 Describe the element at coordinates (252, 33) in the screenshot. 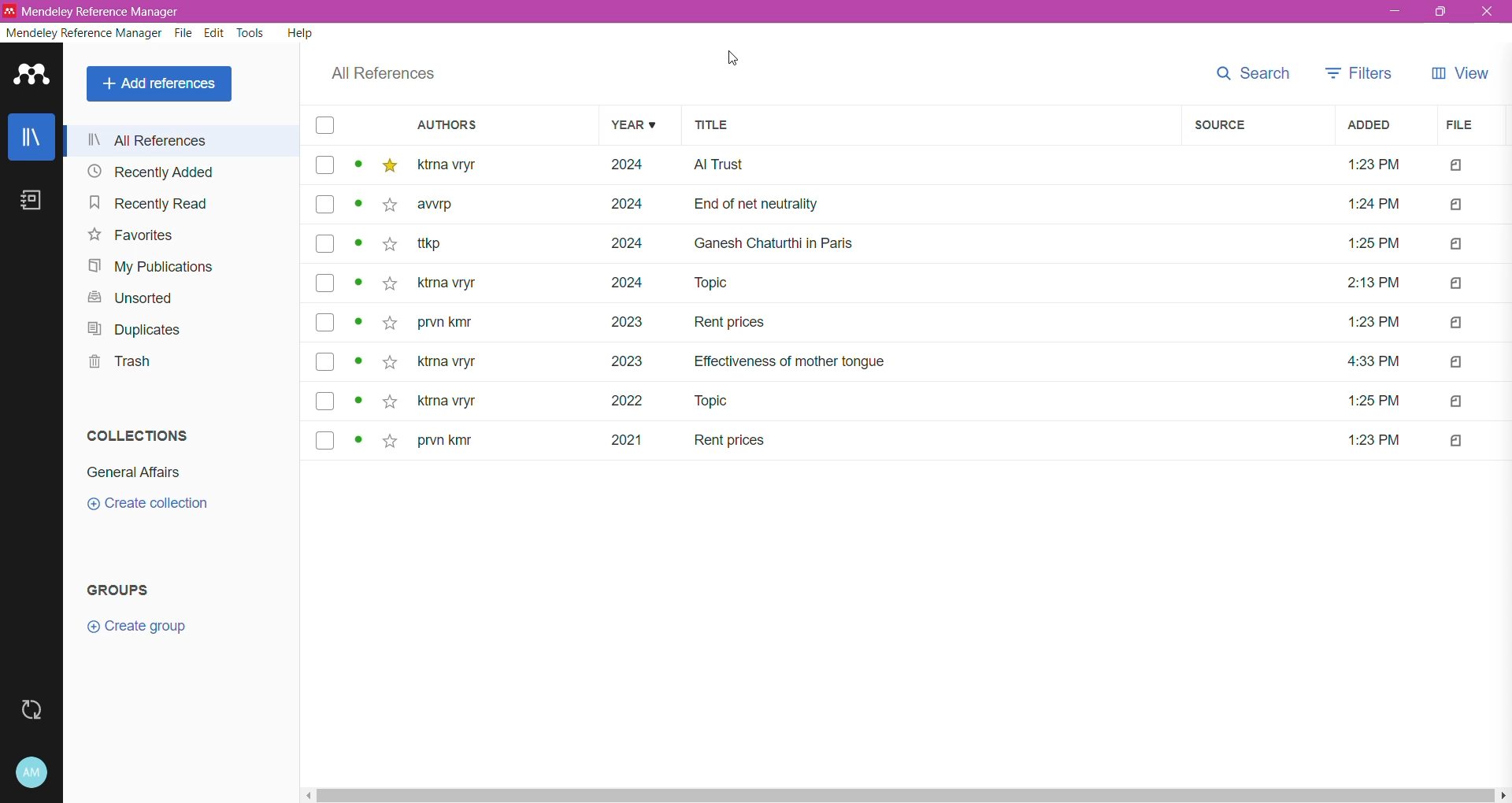

I see `Tools` at that location.